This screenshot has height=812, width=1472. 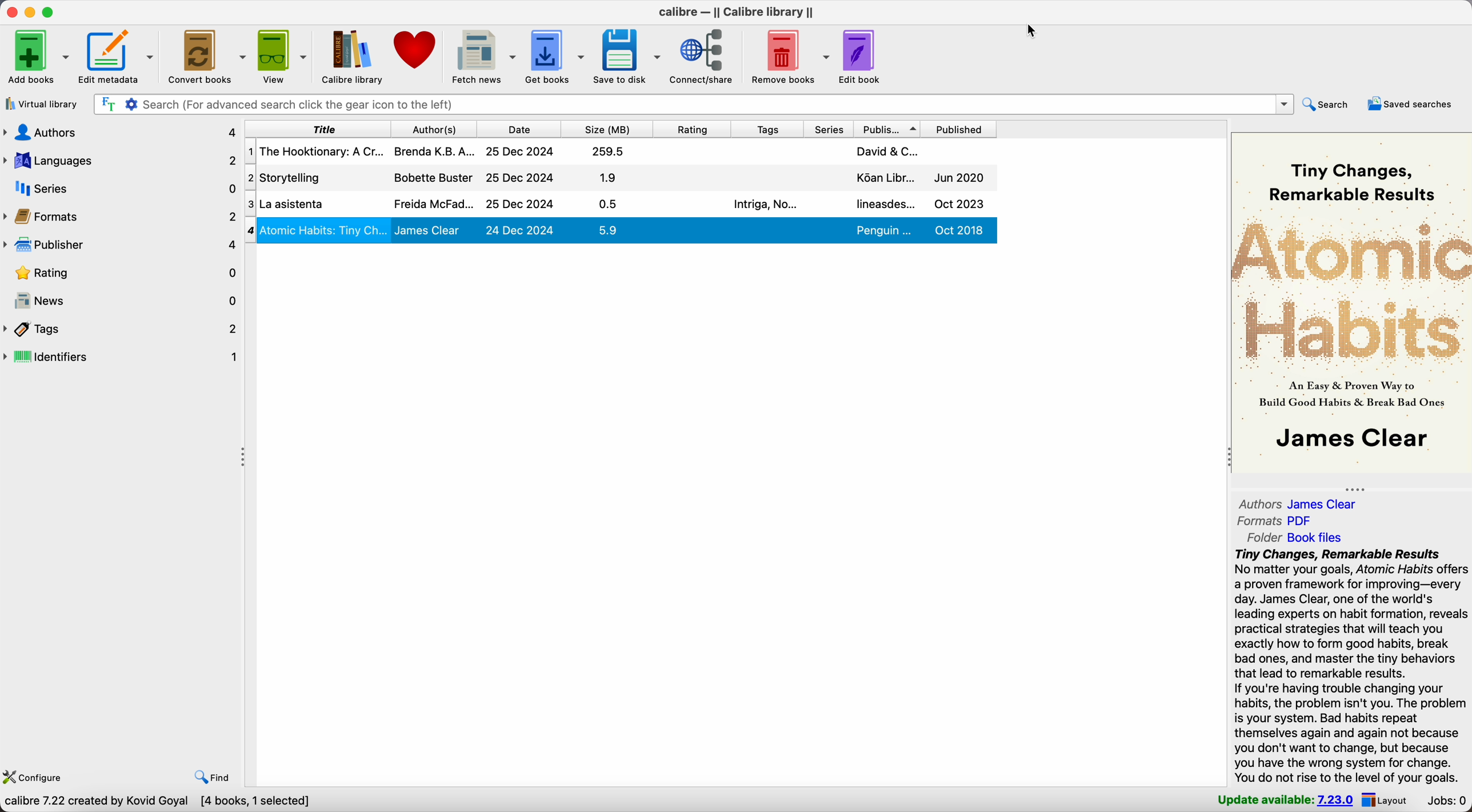 What do you see at coordinates (1349, 665) in the screenshot?
I see `tiny changes, remarkable results - synopsis` at bounding box center [1349, 665].